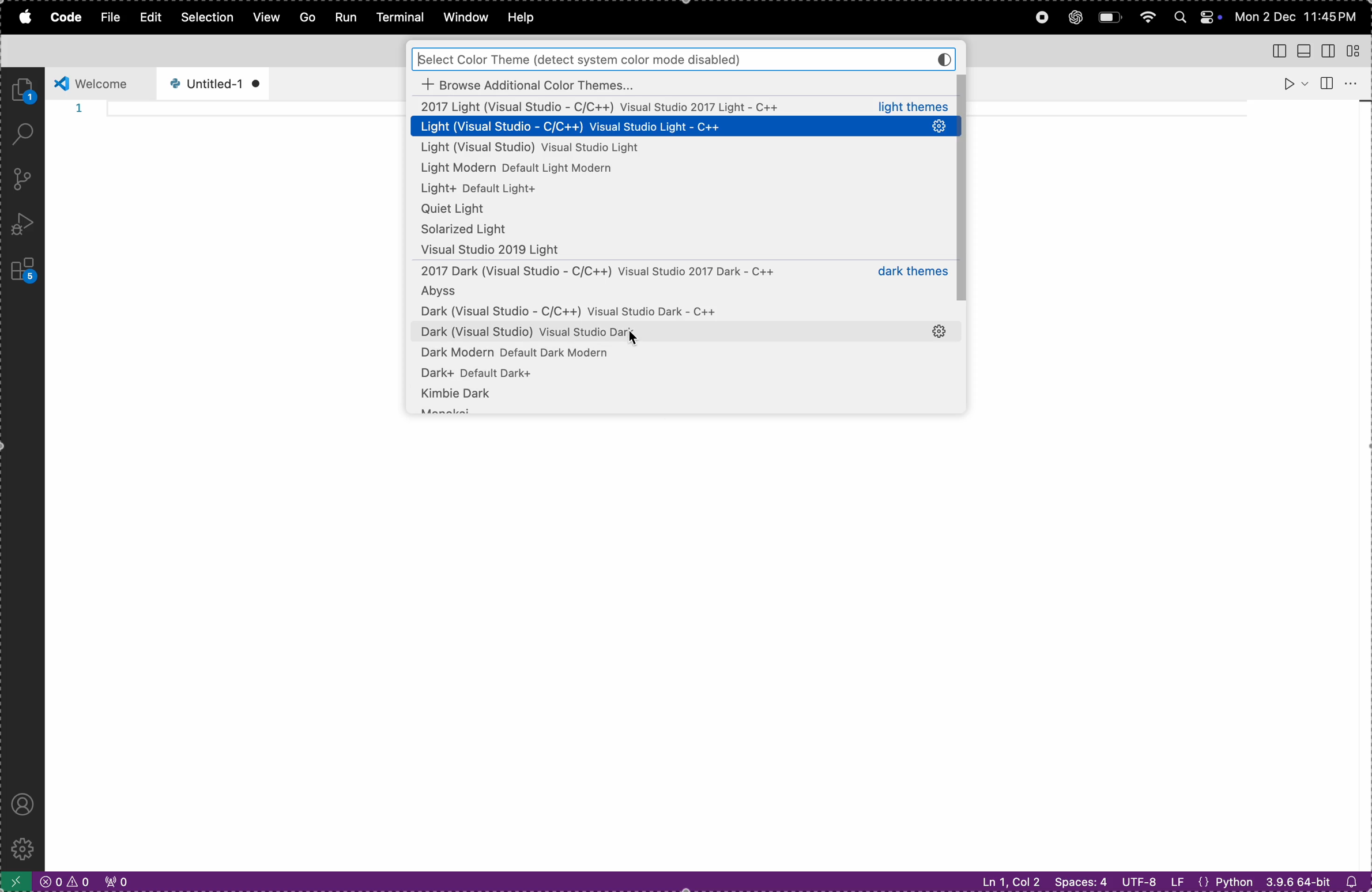 The image size is (1372, 892). What do you see at coordinates (1297, 883) in the screenshot?
I see `64 bit` at bounding box center [1297, 883].